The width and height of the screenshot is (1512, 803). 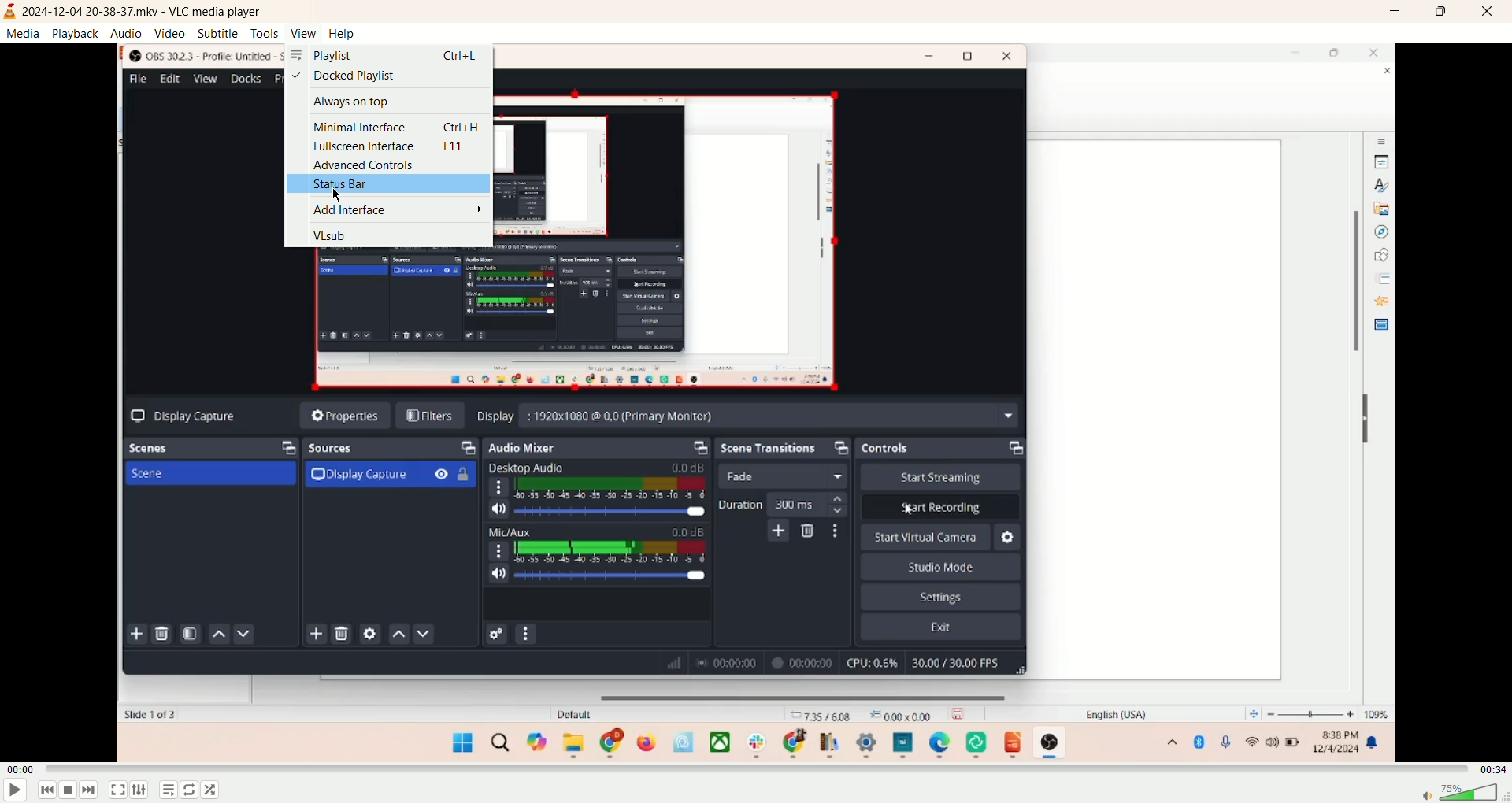 I want to click on extended settings, so click(x=139, y=790).